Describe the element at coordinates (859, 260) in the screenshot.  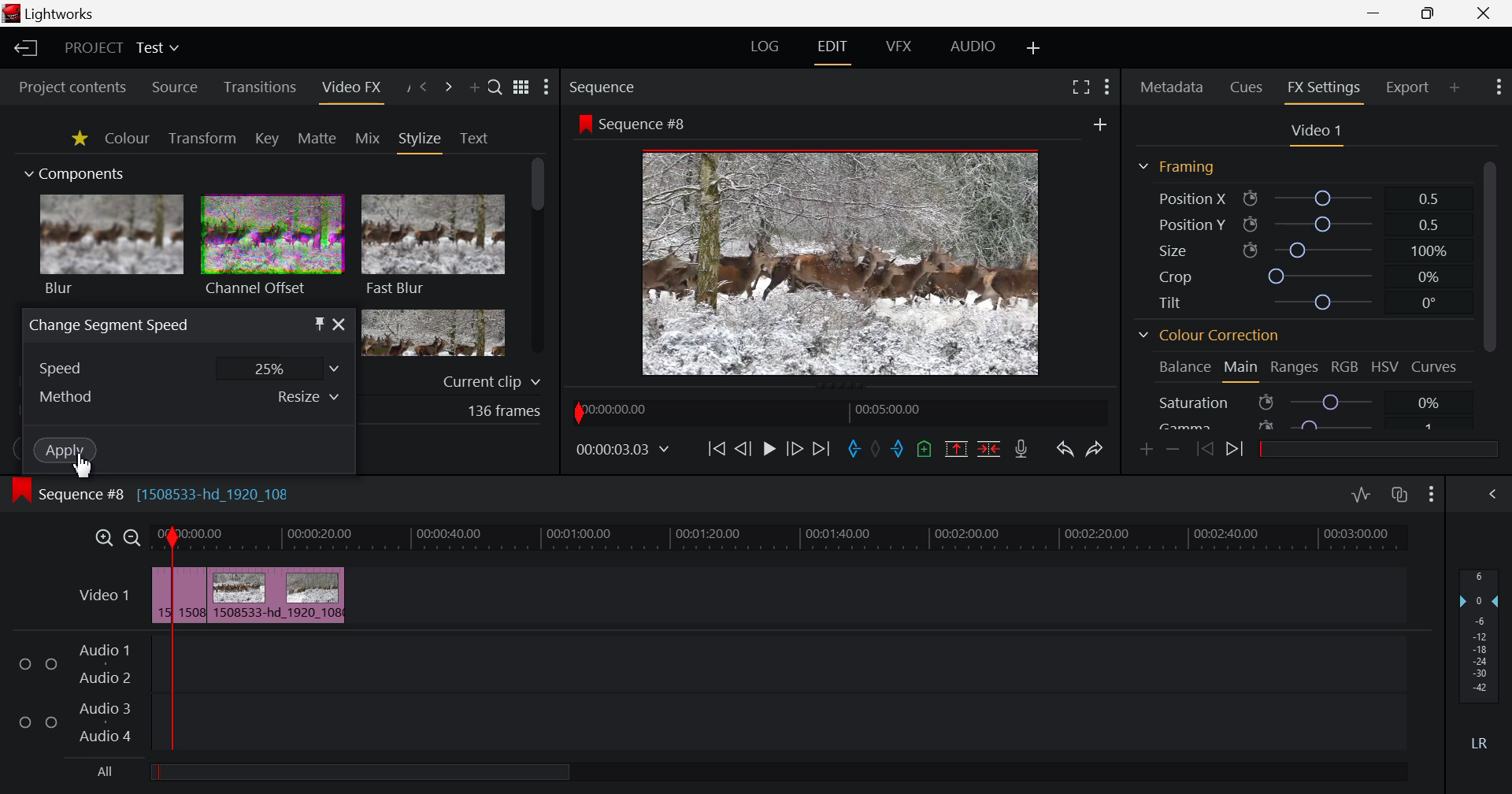
I see `Preview at Stop` at that location.